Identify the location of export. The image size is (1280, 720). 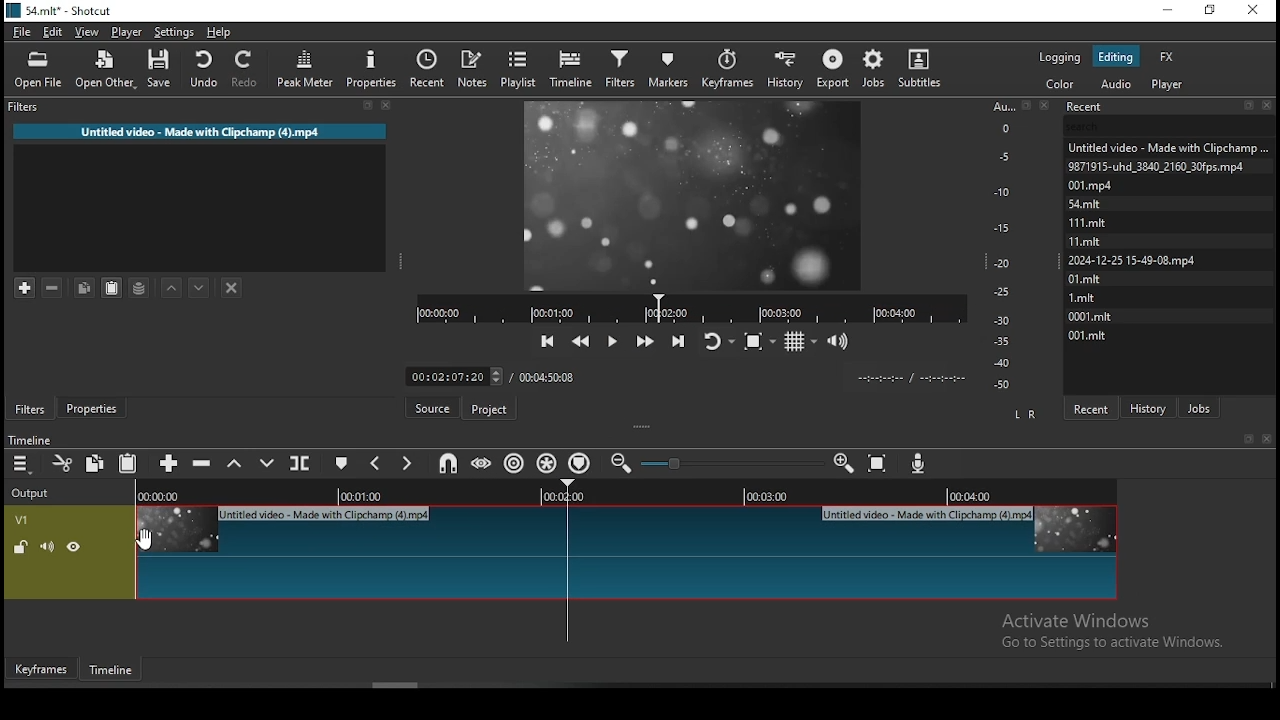
(832, 70).